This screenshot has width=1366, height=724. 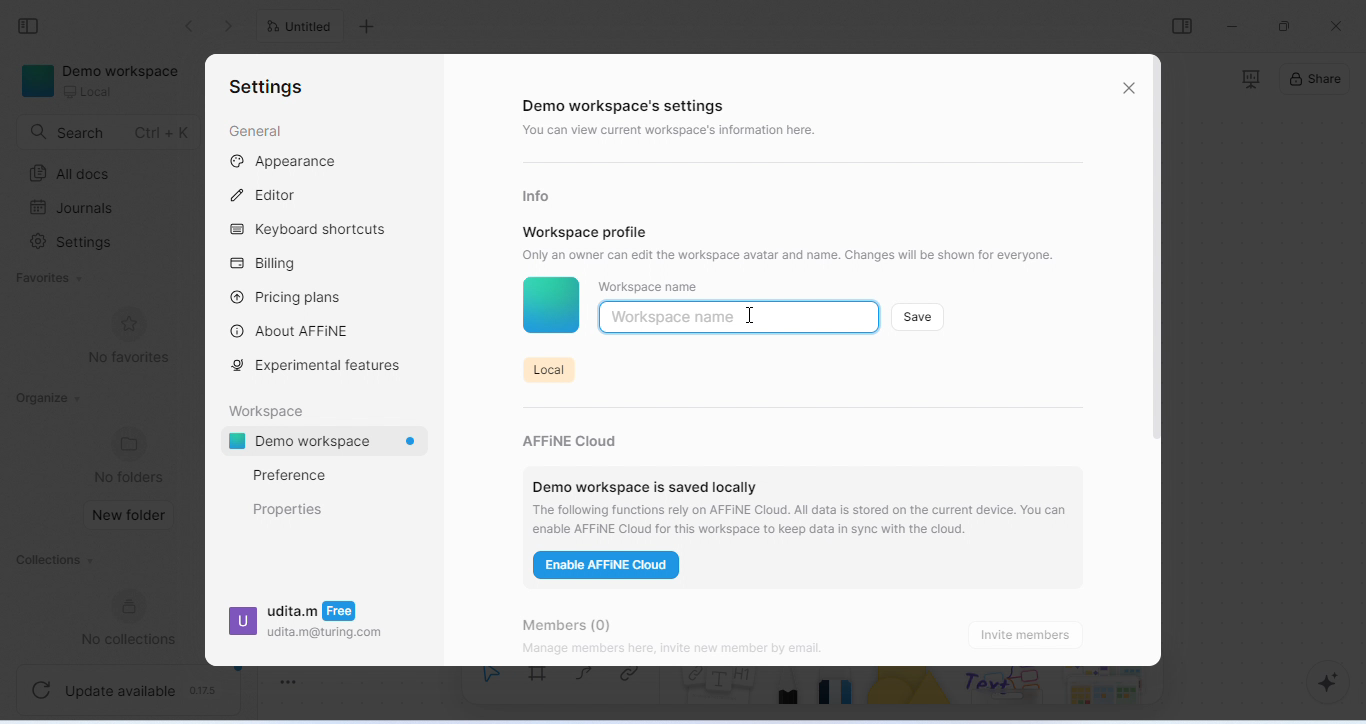 What do you see at coordinates (128, 337) in the screenshot?
I see `no favorites` at bounding box center [128, 337].